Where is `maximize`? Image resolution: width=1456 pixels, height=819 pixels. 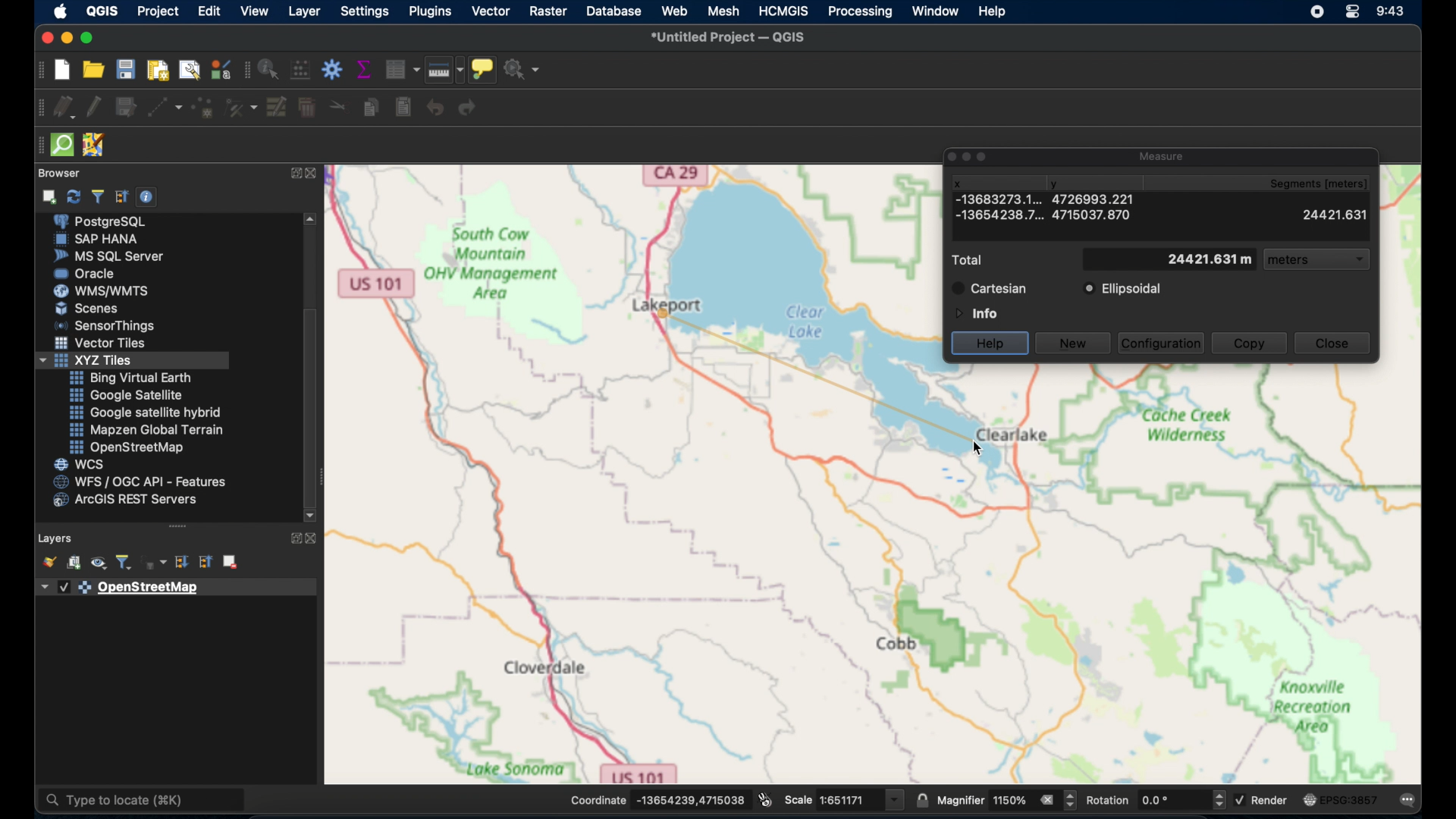
maximize is located at coordinates (89, 38).